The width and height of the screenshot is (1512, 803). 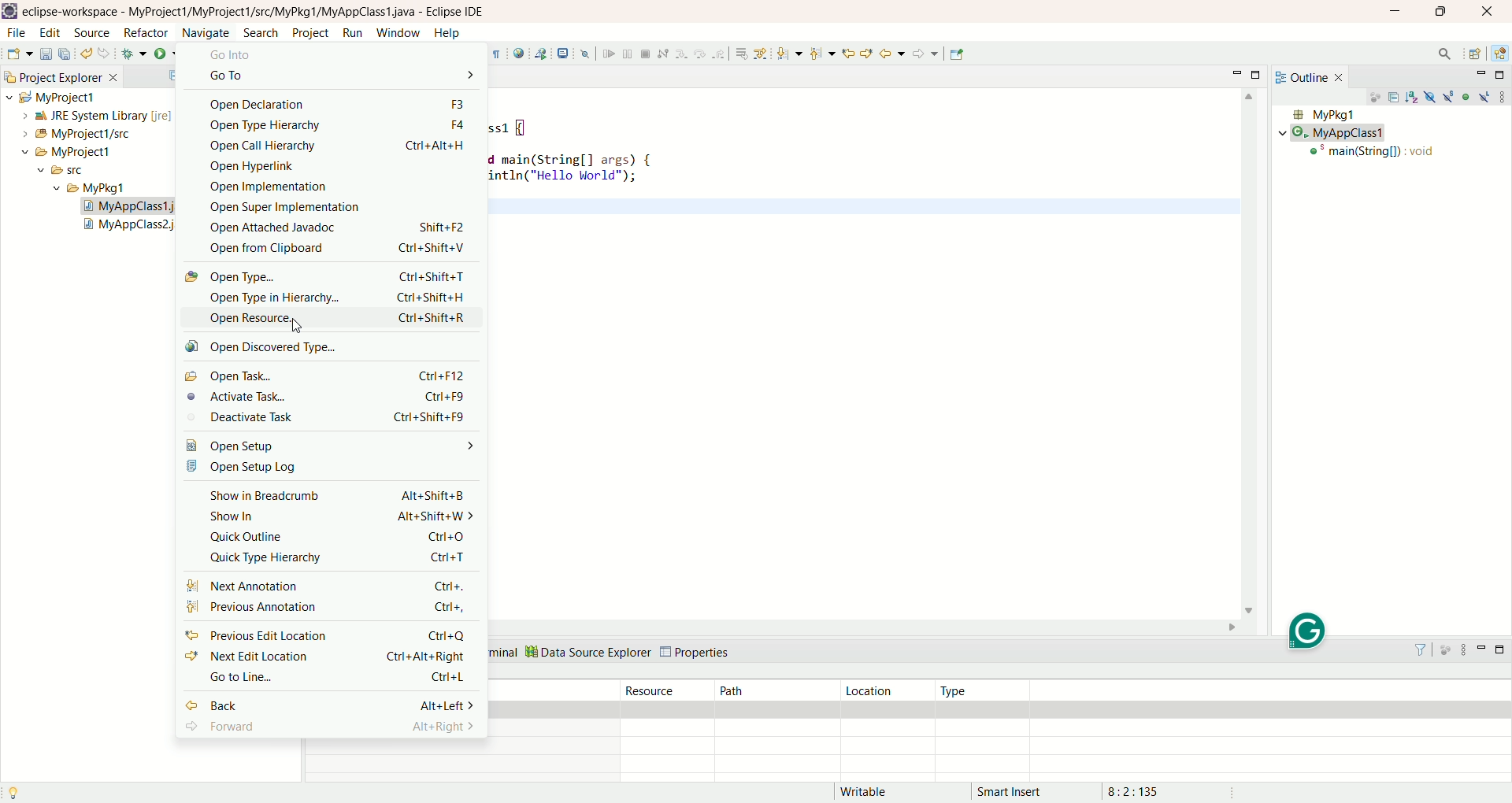 I want to click on undo, so click(x=88, y=54).